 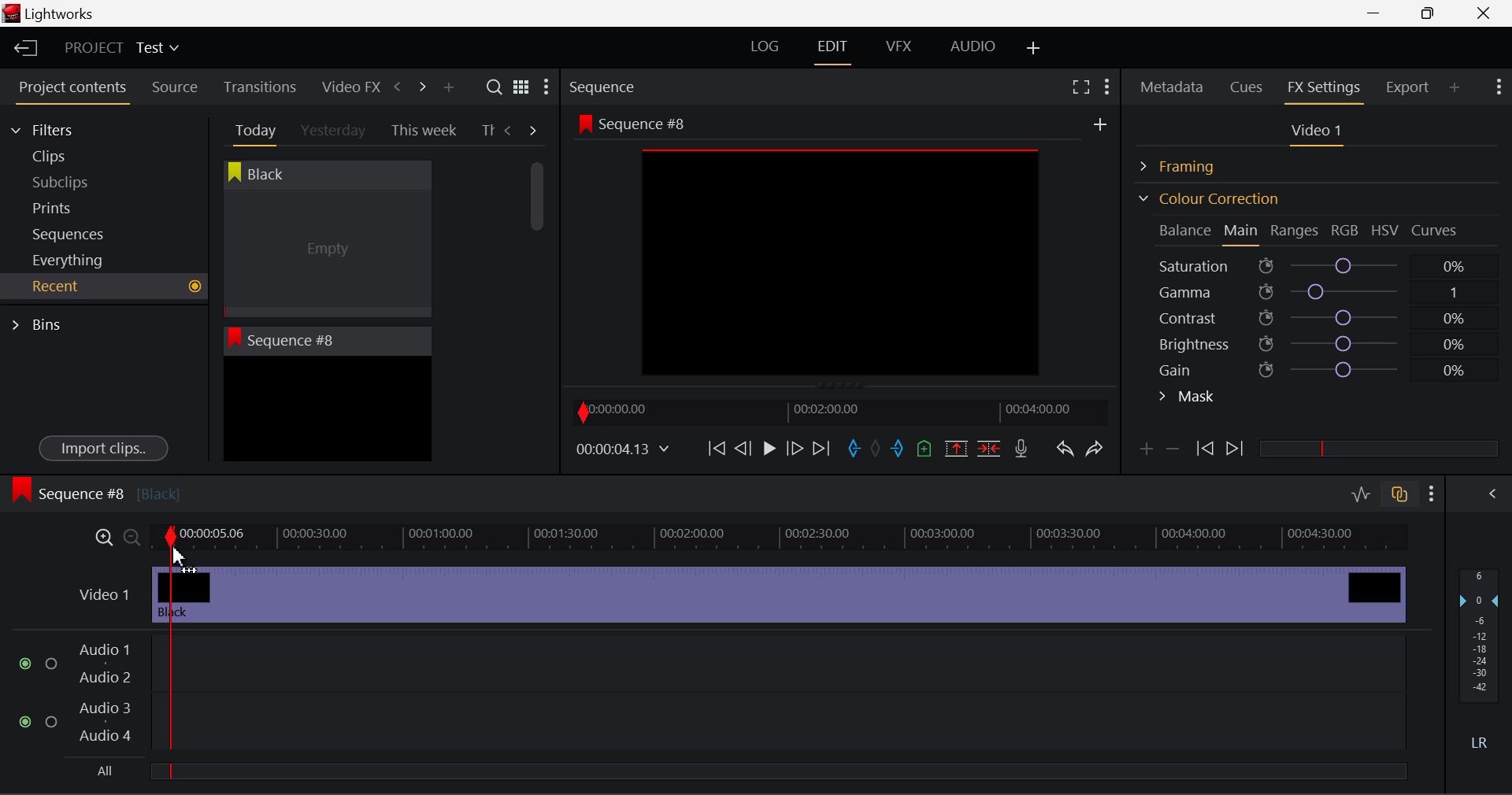 I want to click on Colour Correction, so click(x=1208, y=198).